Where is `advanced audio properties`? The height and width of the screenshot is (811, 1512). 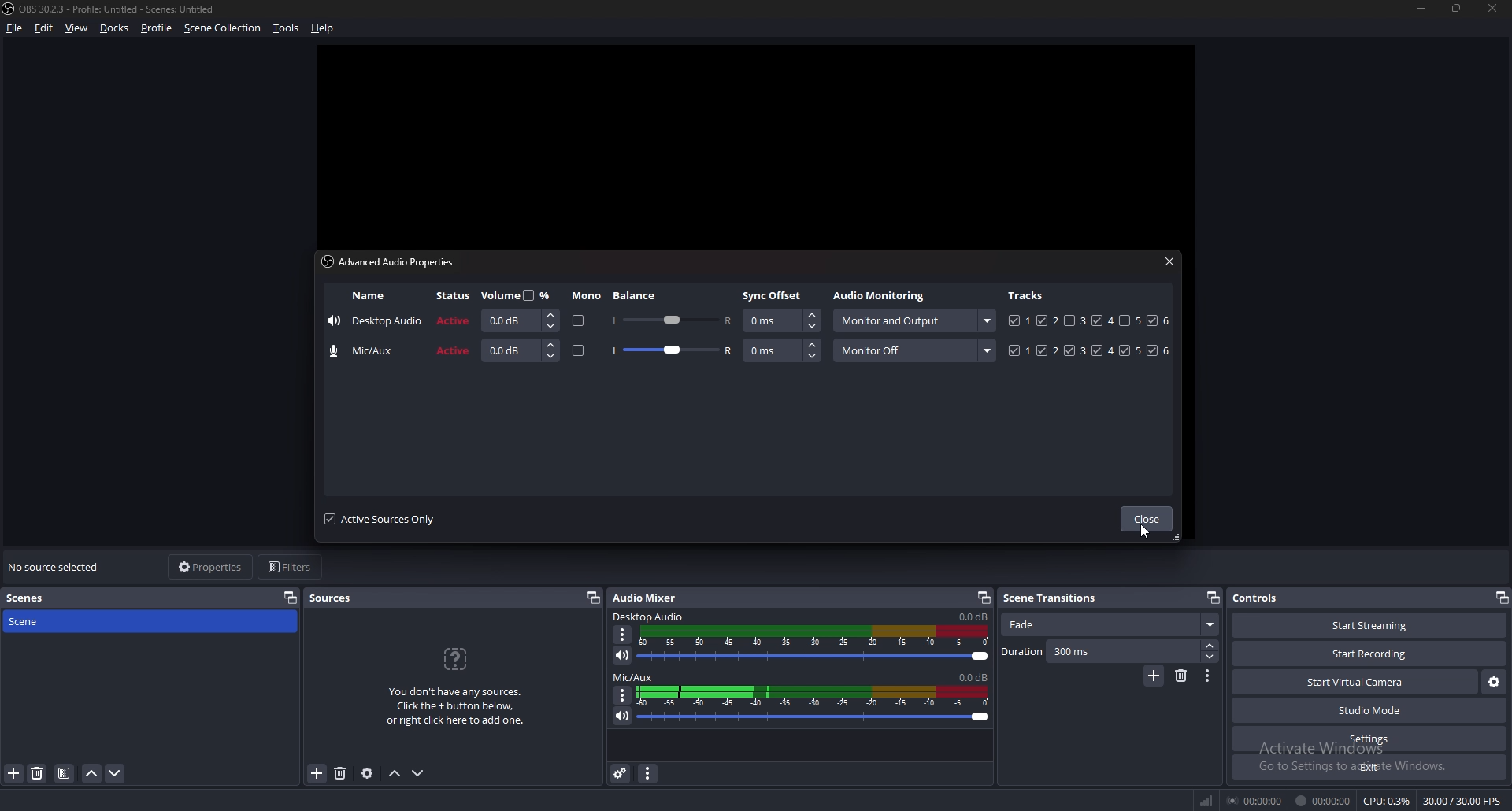 advanced audio properties is located at coordinates (393, 261).